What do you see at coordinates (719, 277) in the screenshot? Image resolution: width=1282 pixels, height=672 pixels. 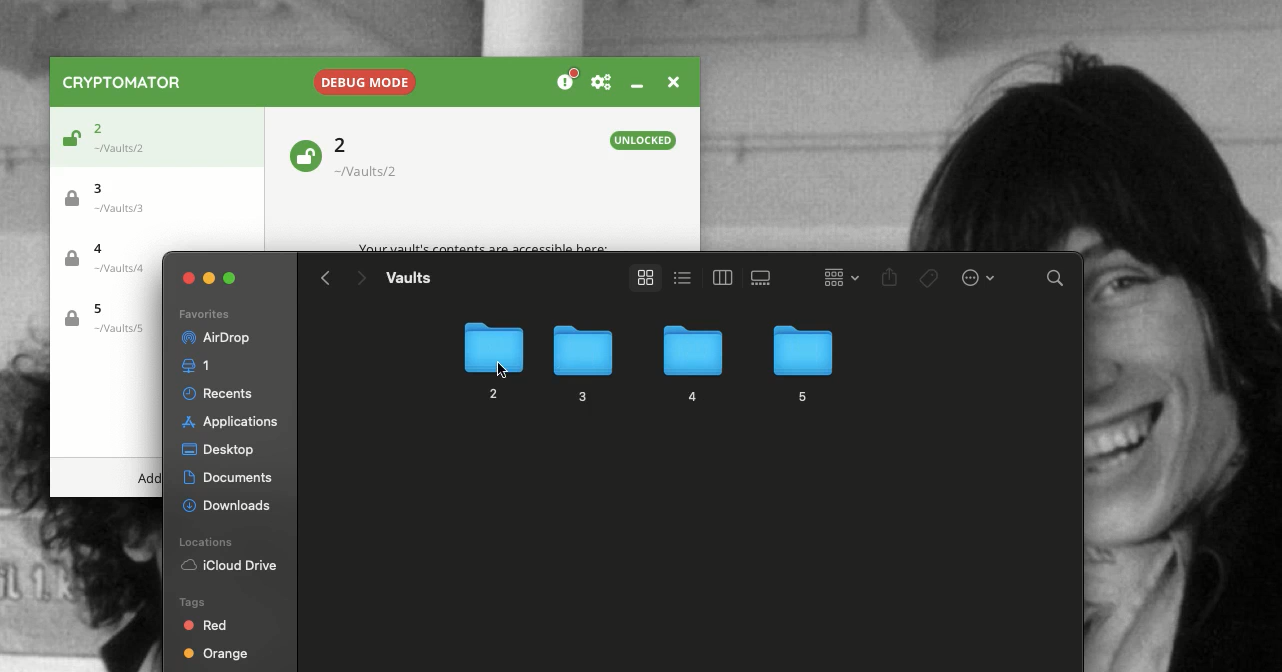 I see `View 2` at bounding box center [719, 277].